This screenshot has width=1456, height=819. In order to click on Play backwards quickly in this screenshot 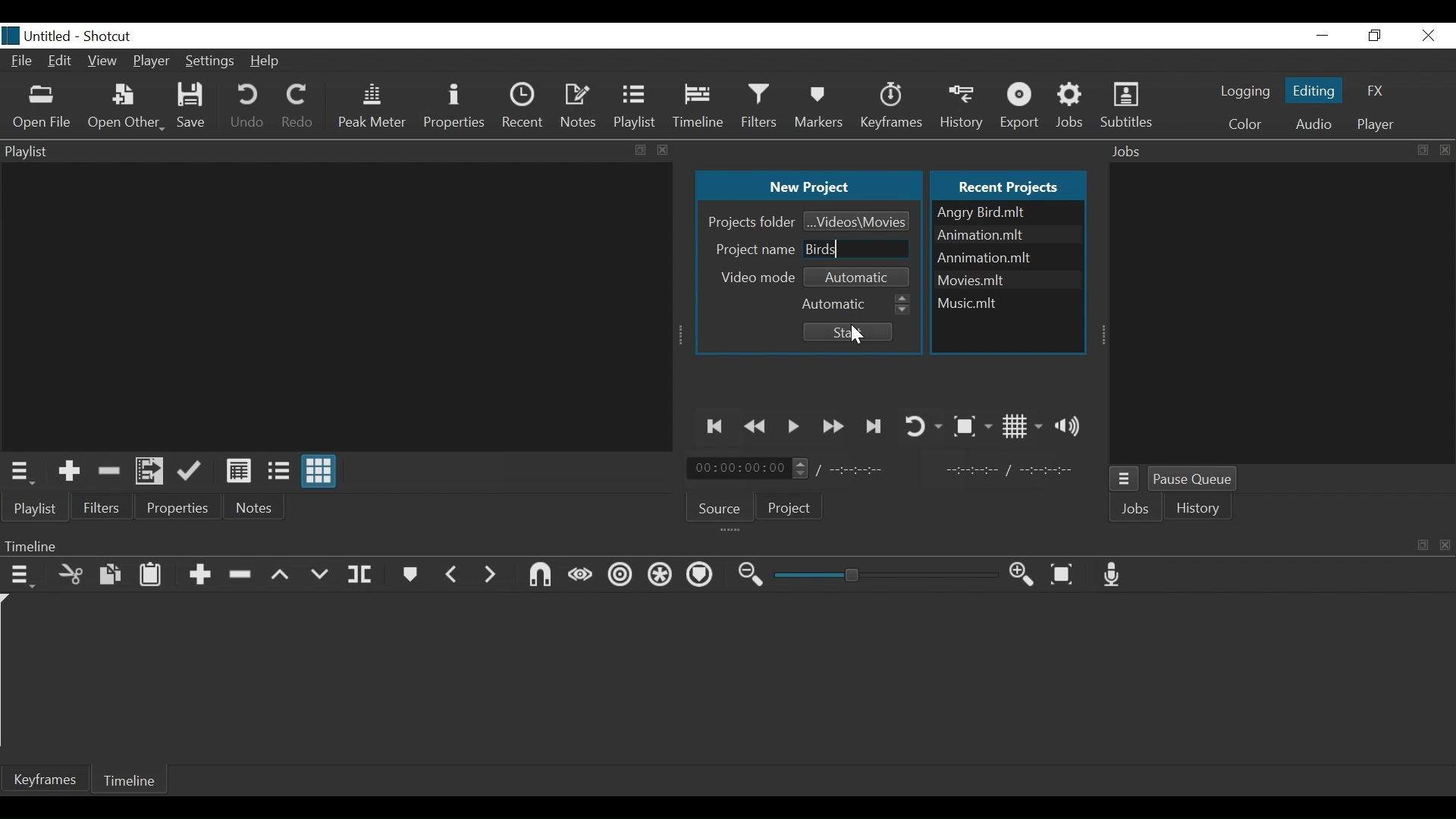, I will do `click(758, 427)`.